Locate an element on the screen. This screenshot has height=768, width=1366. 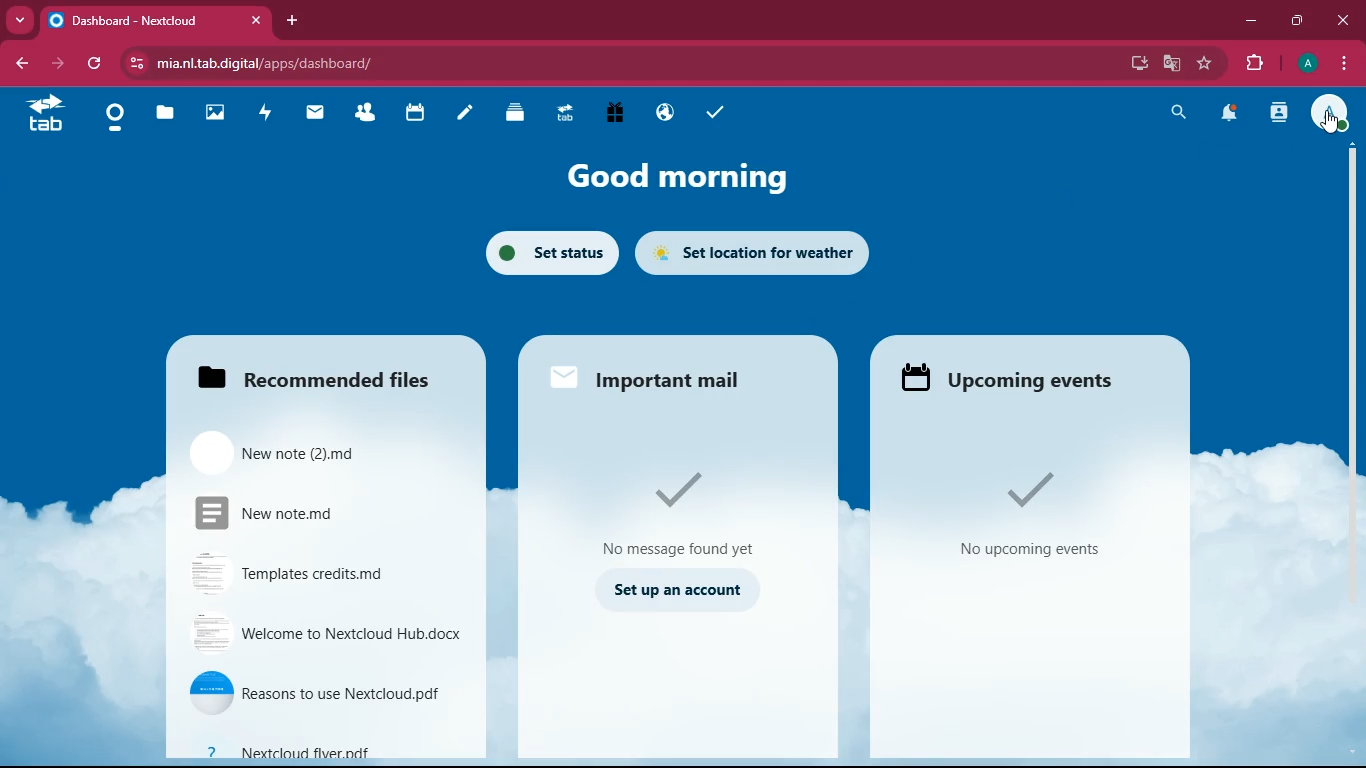
notes is located at coordinates (464, 115).